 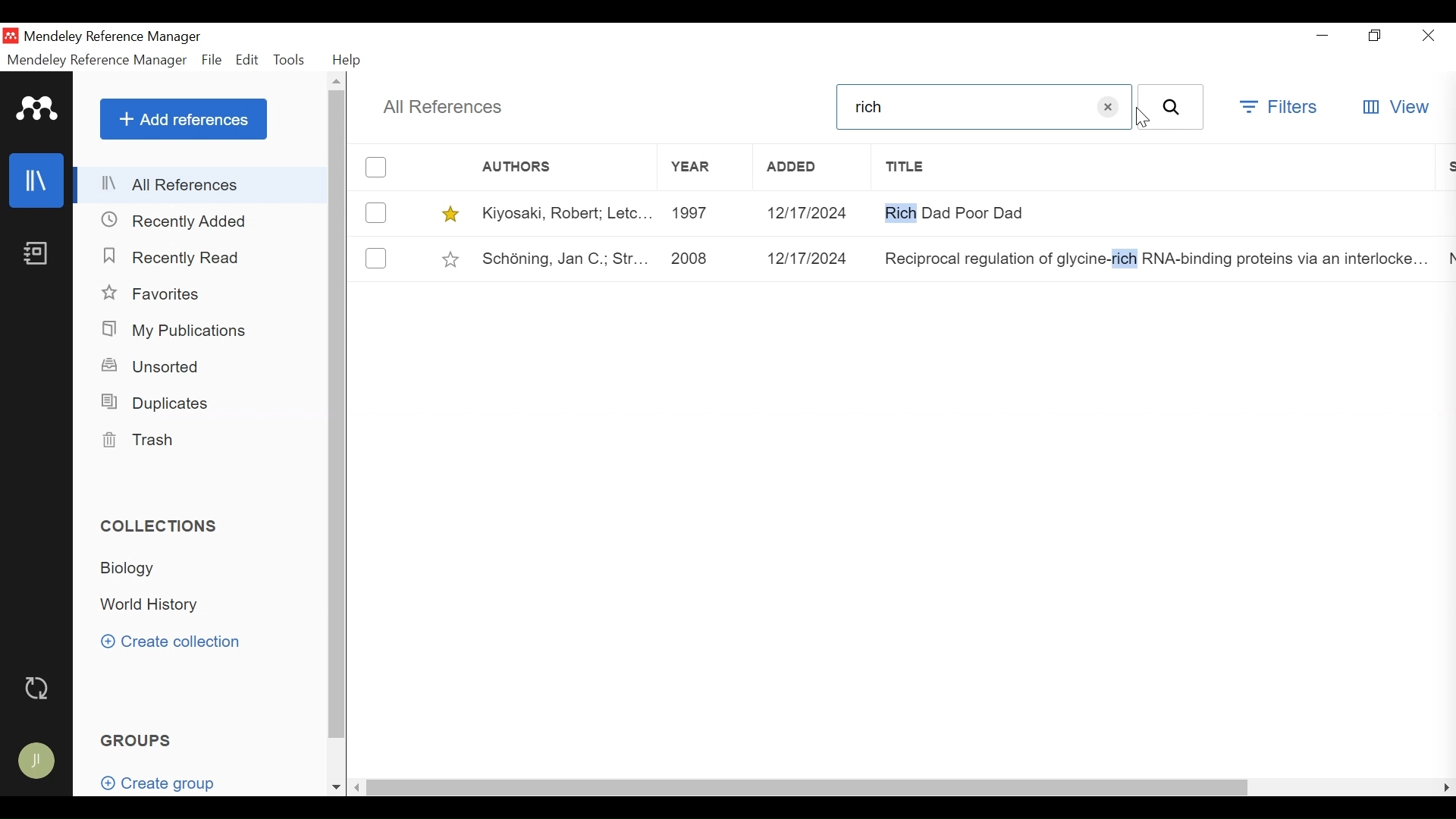 What do you see at coordinates (38, 180) in the screenshot?
I see `Library` at bounding box center [38, 180].